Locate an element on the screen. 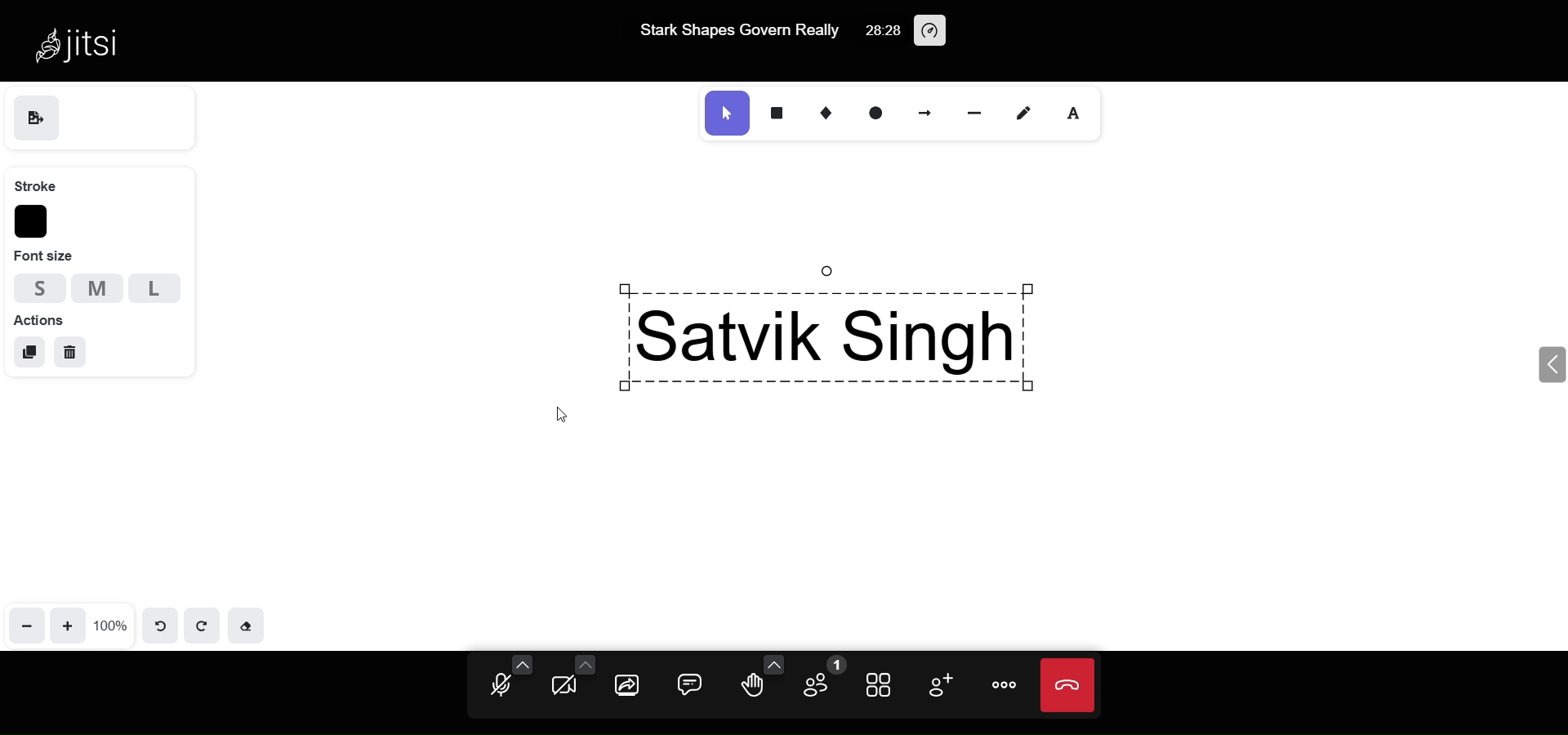 This screenshot has height=735, width=1568. 100% is located at coordinates (111, 626).